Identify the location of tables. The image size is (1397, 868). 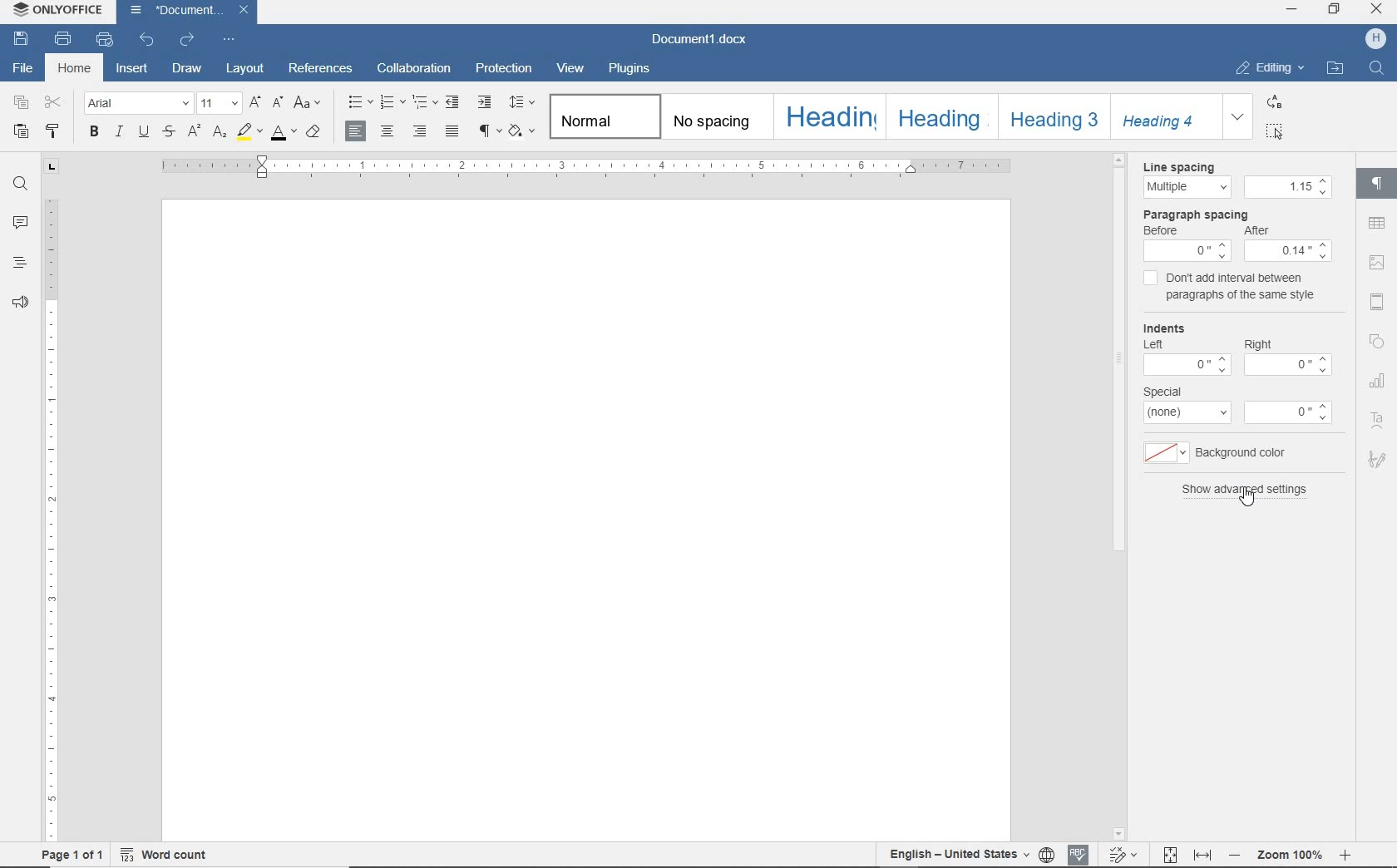
(1377, 223).